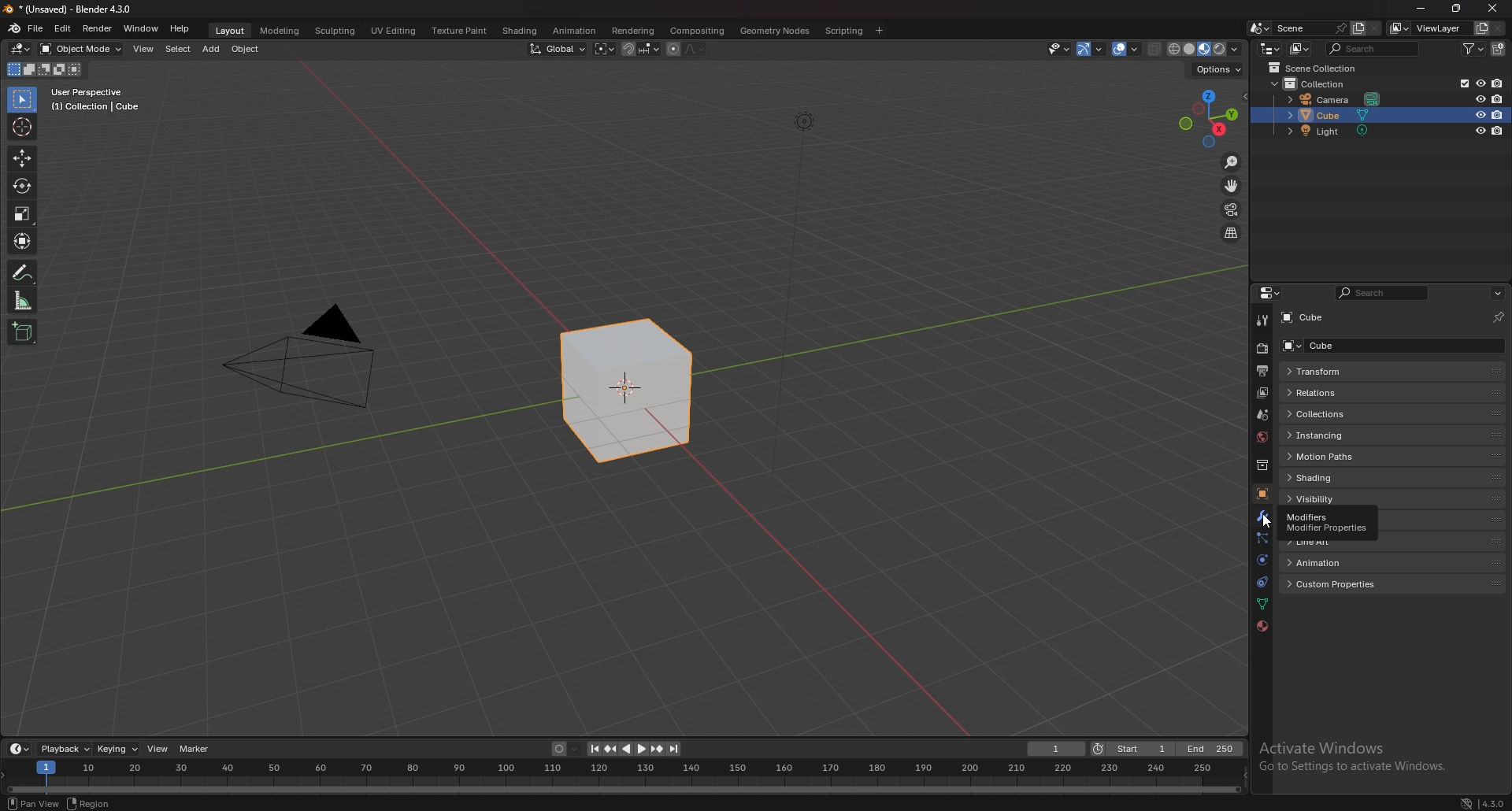 Image resolution: width=1512 pixels, height=811 pixels. Describe the element at coordinates (695, 50) in the screenshot. I see `proportional editing fall off` at that location.